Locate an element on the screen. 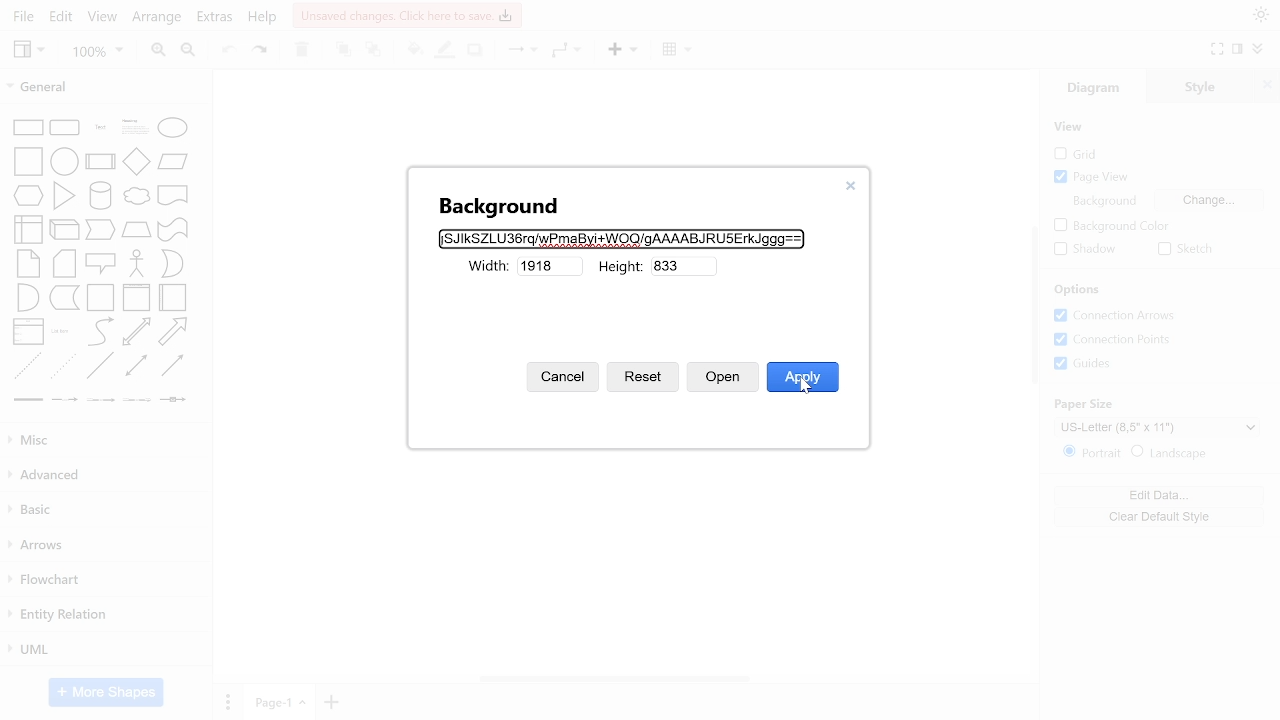 Image resolution: width=1280 pixels, height=720 pixels. general shapes is located at coordinates (133, 365).